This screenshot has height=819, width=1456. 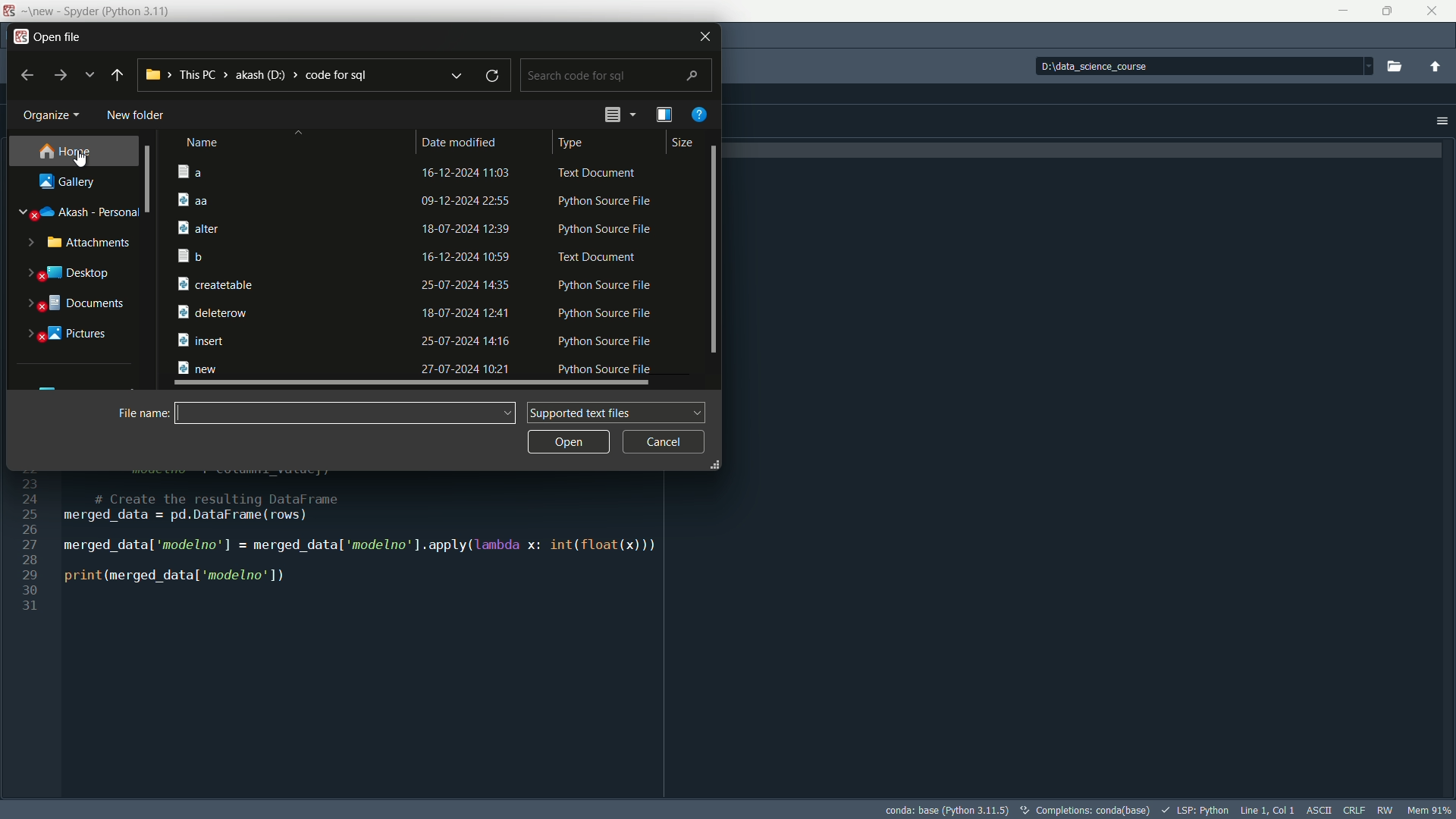 I want to click on resize, so click(x=711, y=464).